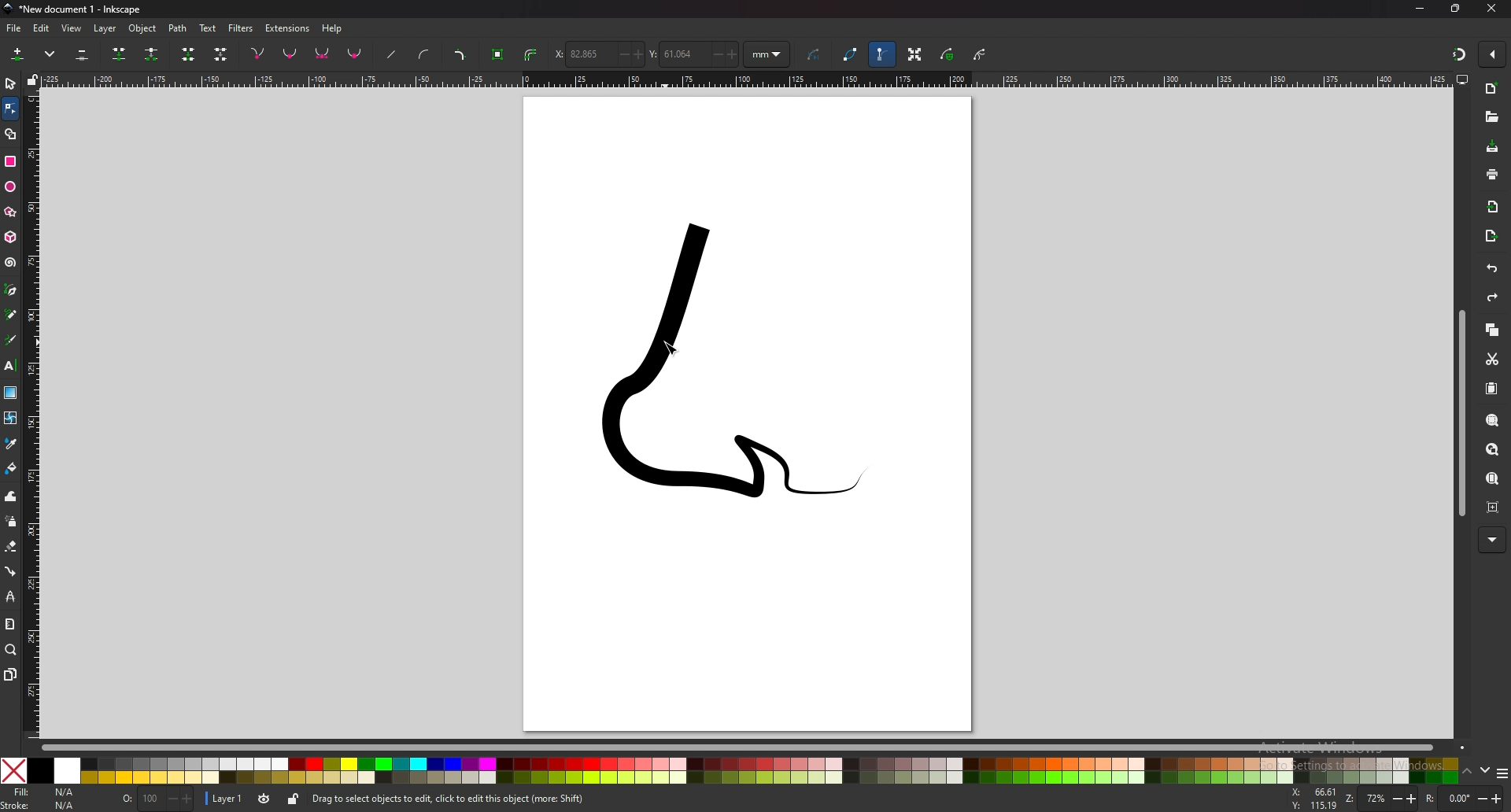 This screenshot has width=1511, height=812. I want to click on pages, so click(11, 674).